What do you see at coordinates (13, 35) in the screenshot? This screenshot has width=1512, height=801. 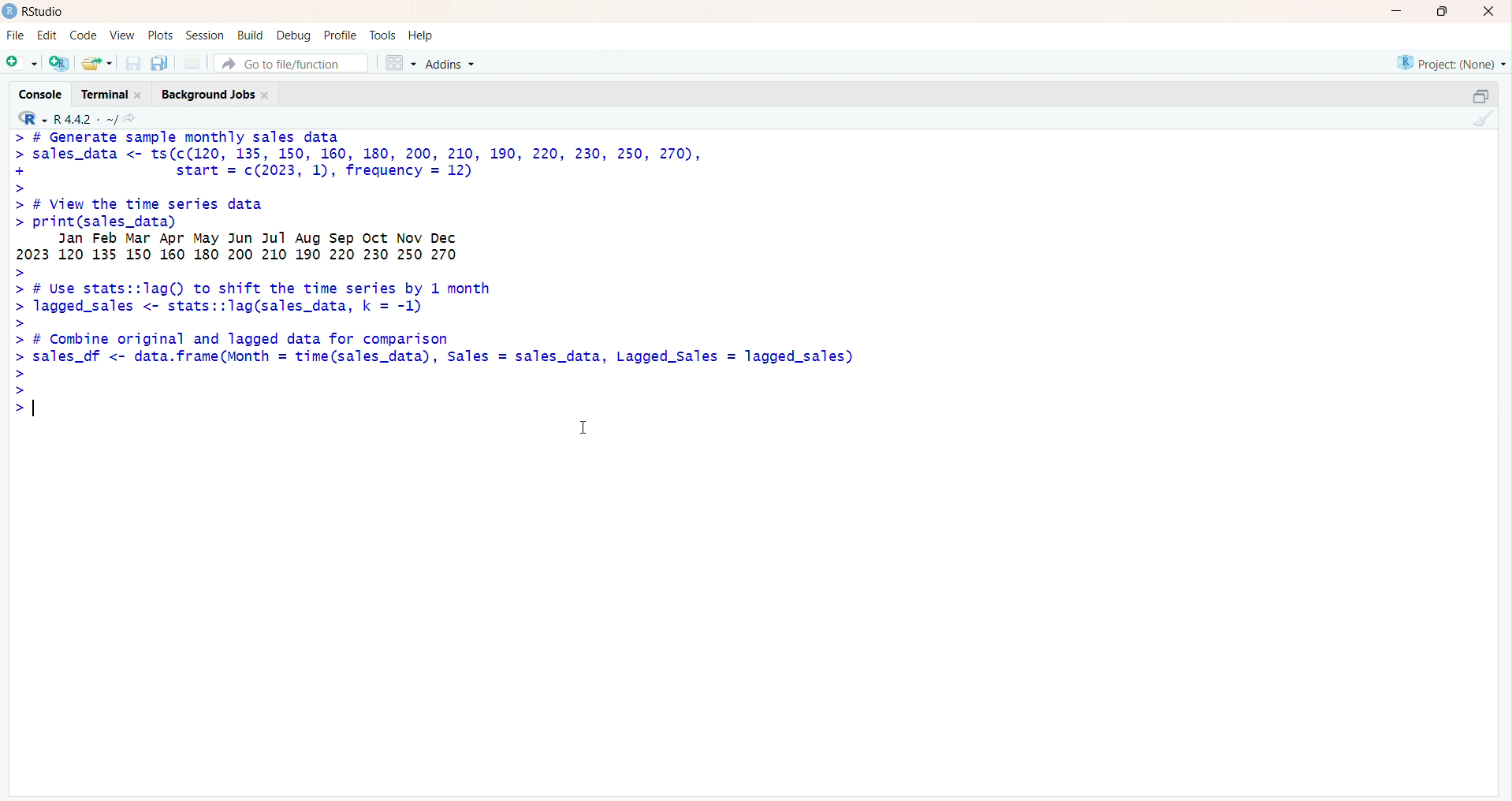 I see `file` at bounding box center [13, 35].